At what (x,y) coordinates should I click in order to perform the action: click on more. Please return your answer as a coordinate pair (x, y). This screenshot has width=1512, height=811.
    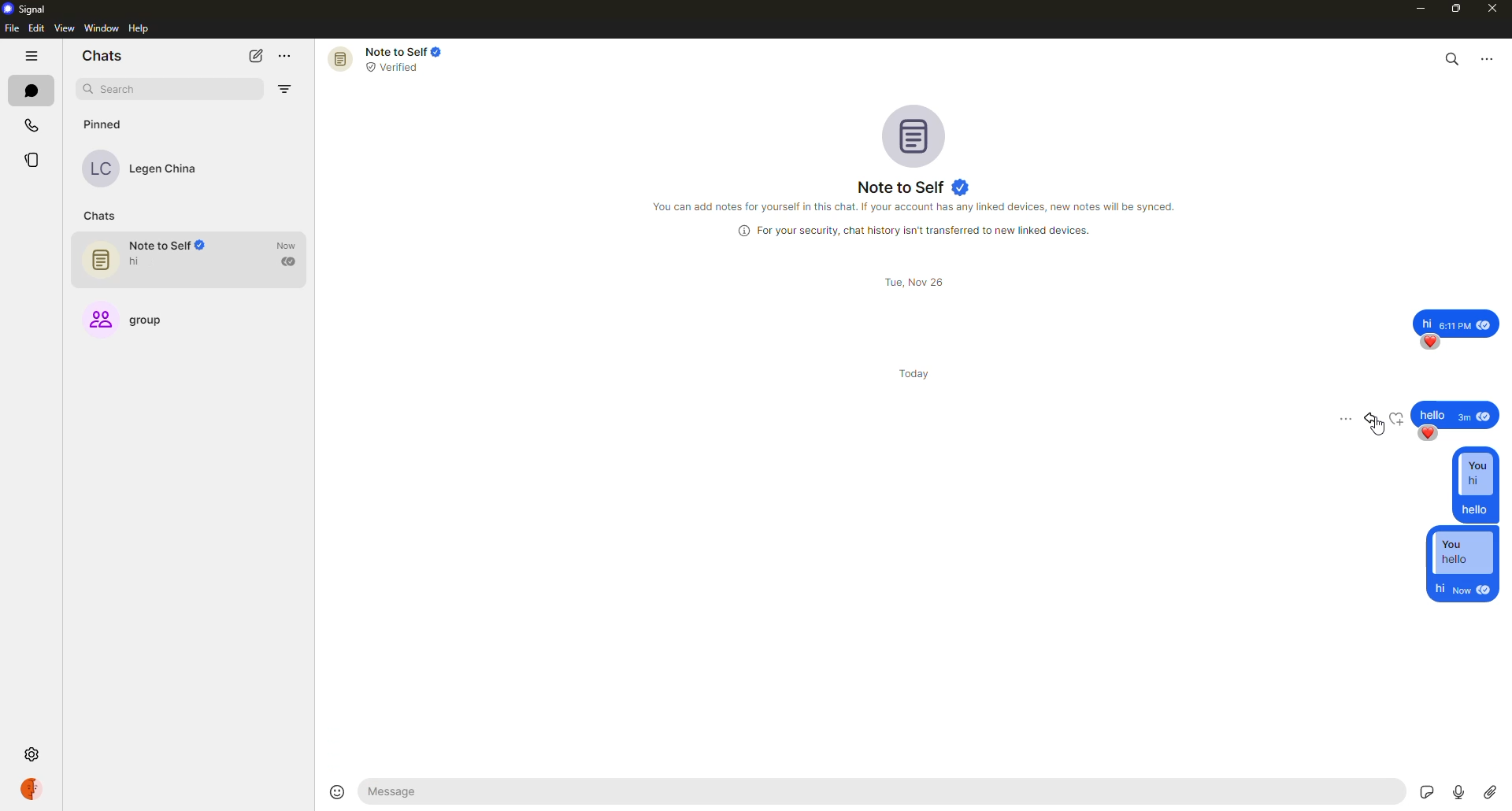
    Looking at the image, I should click on (1349, 422).